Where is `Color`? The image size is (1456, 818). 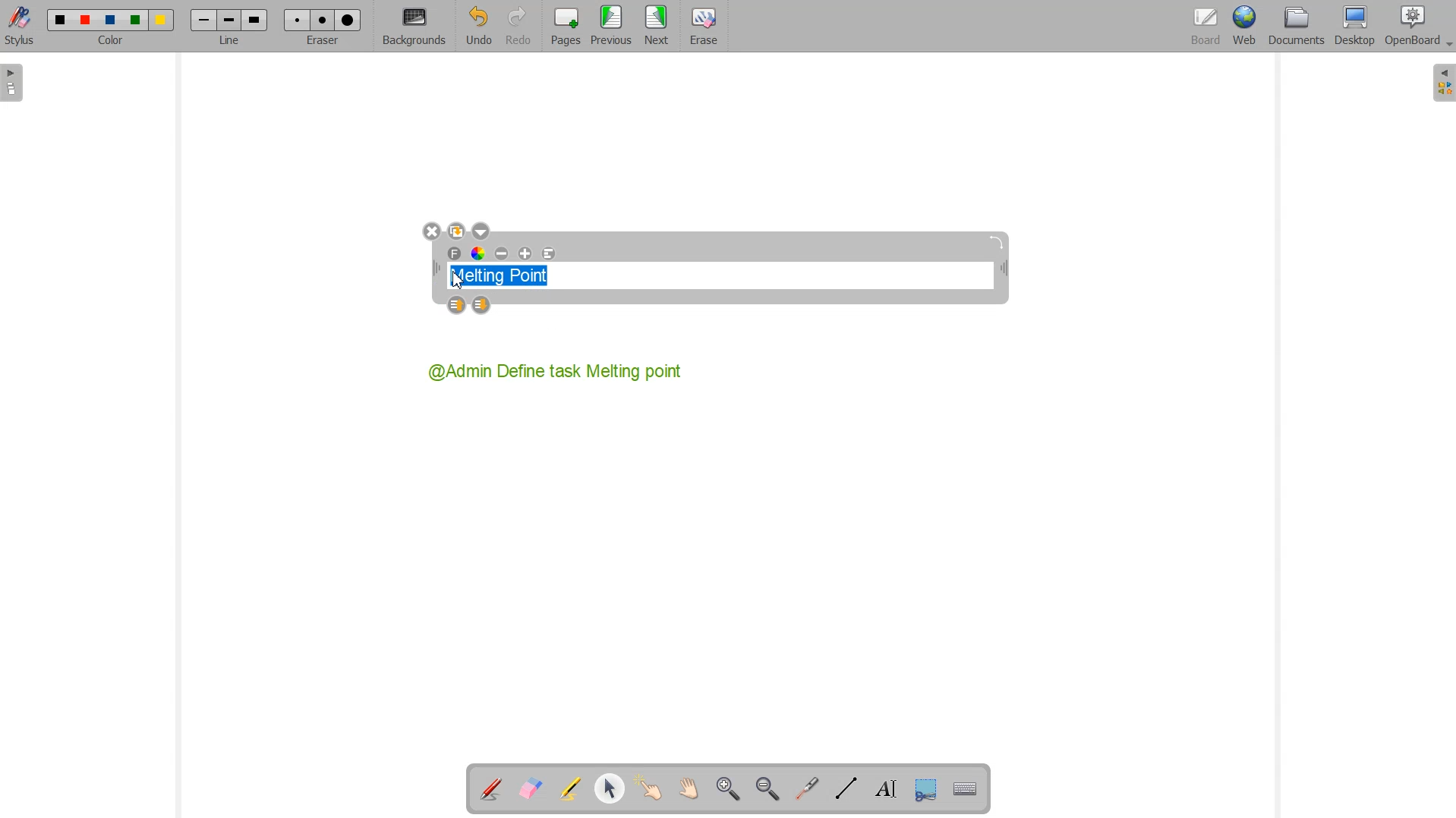 Color is located at coordinates (113, 27).